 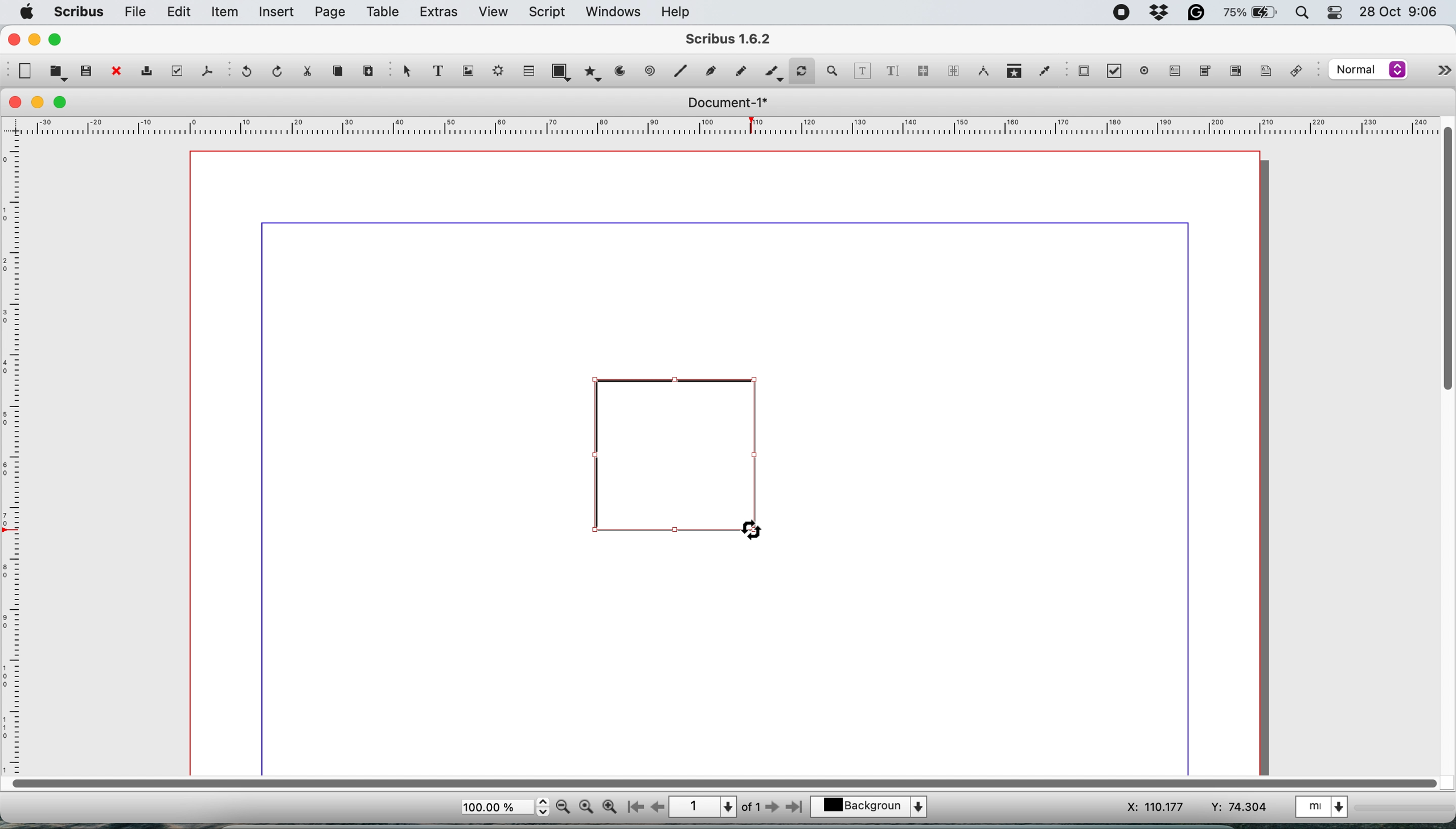 I want to click on undo, so click(x=249, y=73).